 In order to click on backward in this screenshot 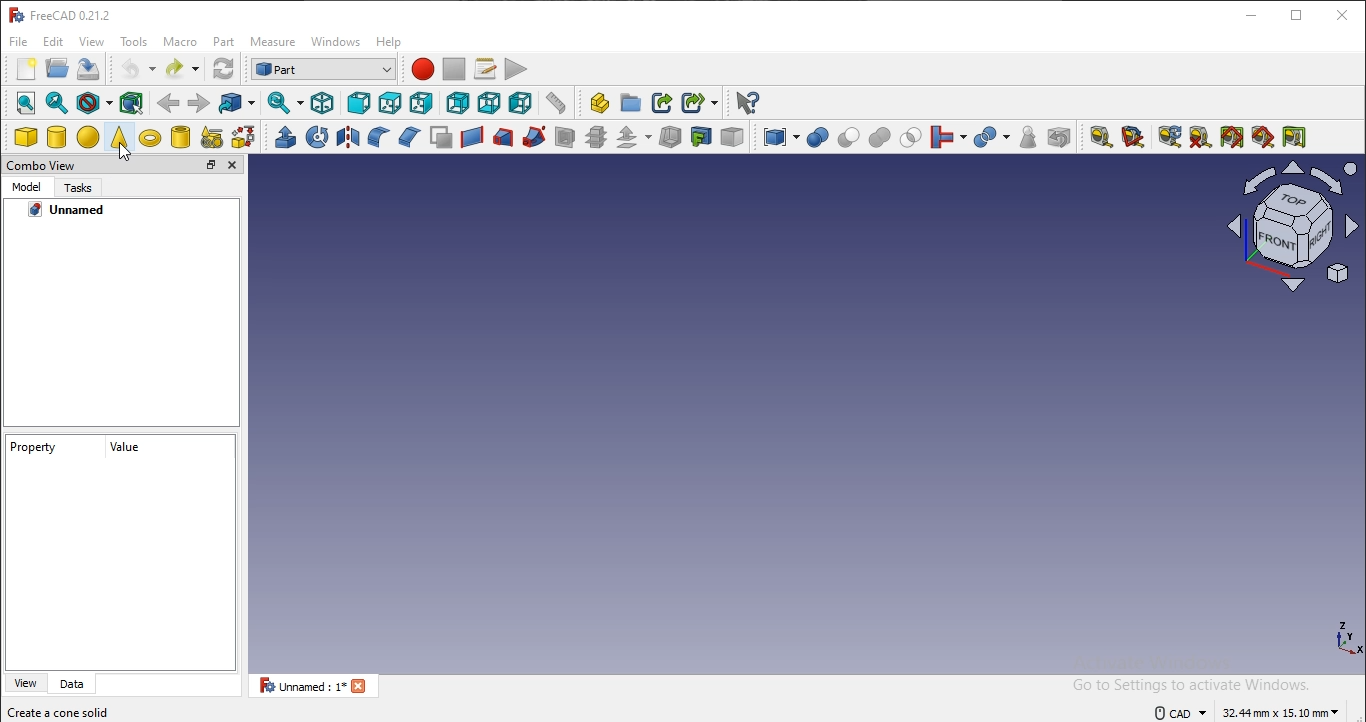, I will do `click(168, 103)`.